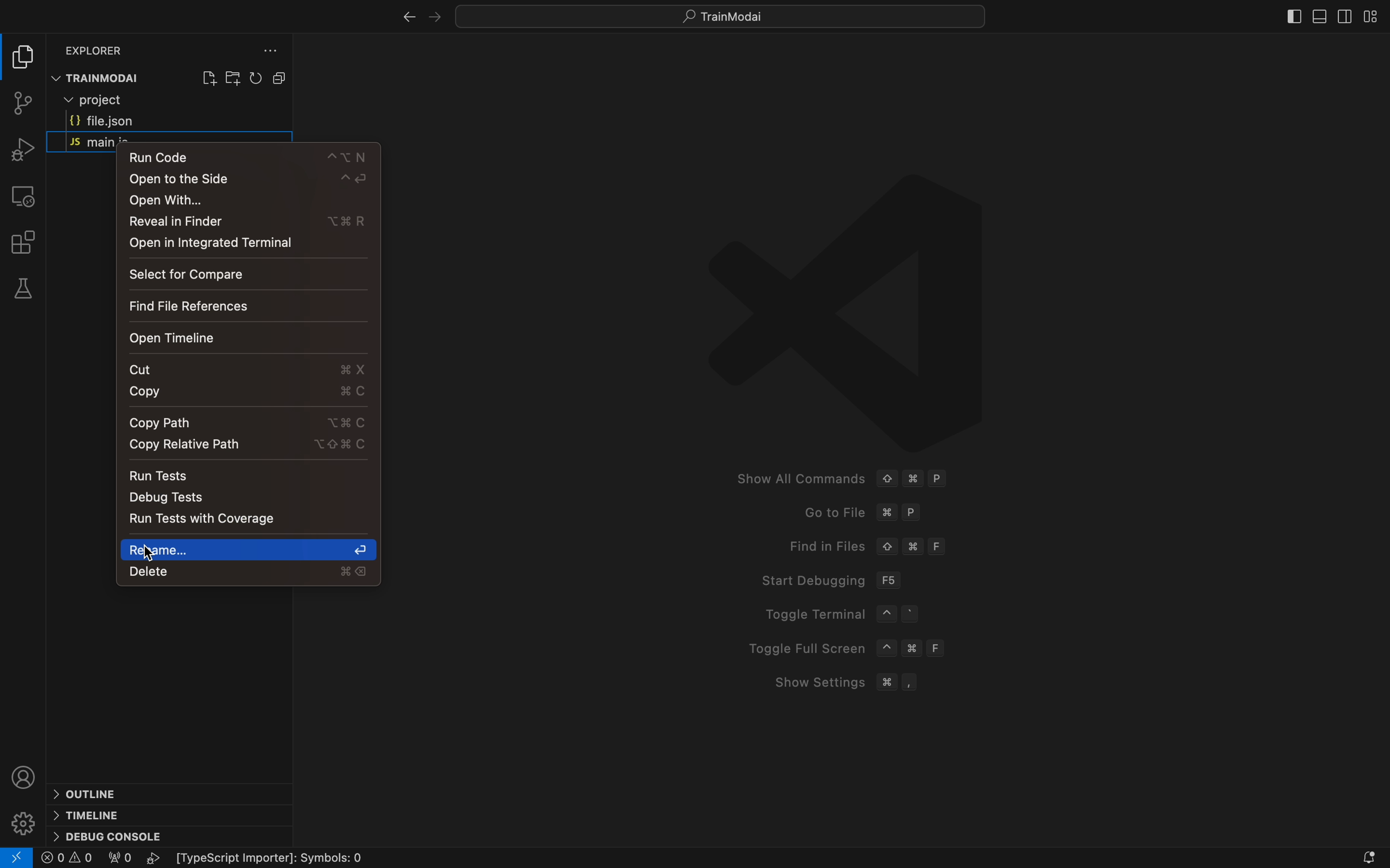  I want to click on , so click(279, 77).